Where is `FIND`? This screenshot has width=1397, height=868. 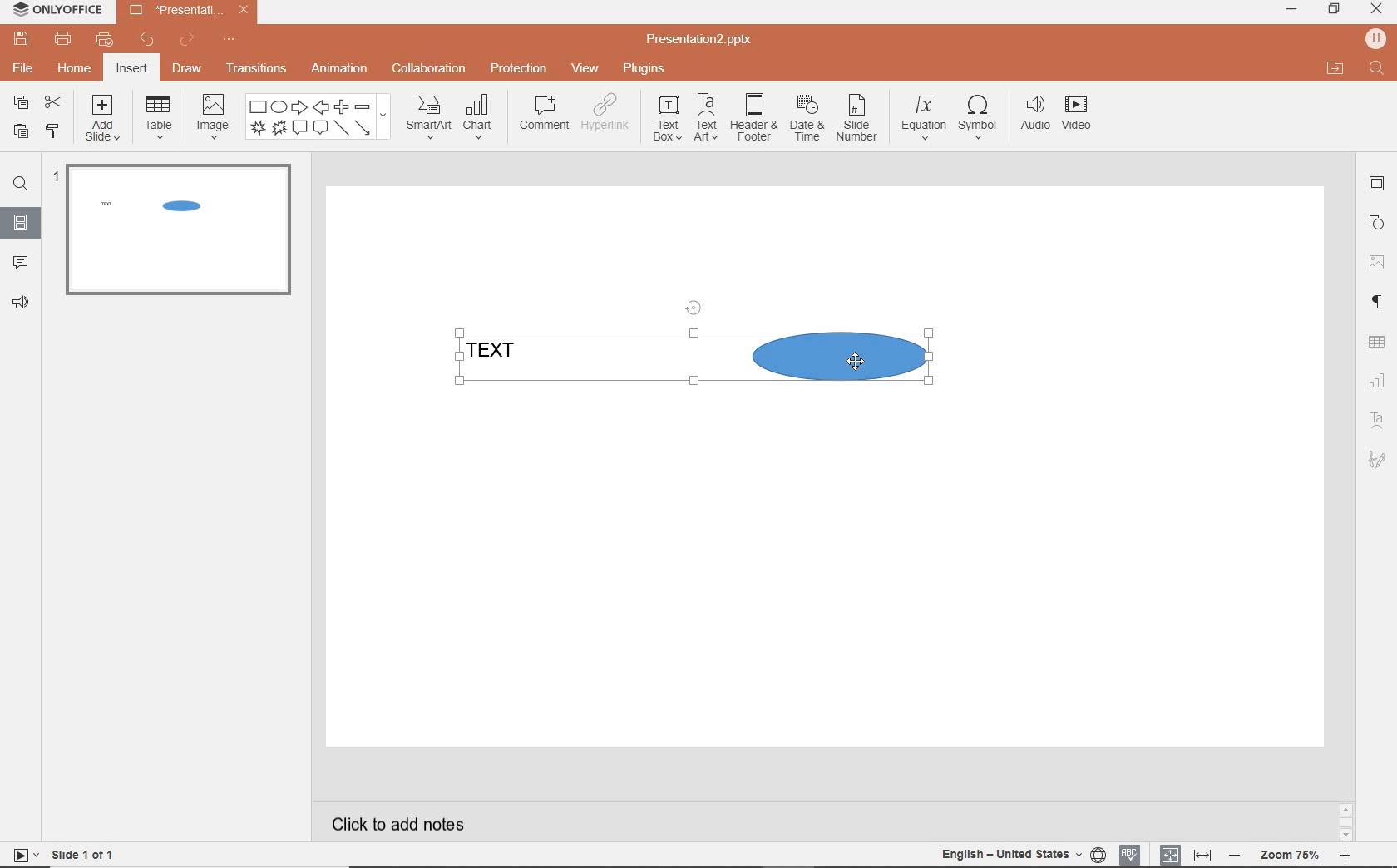
FIND is located at coordinates (18, 186).